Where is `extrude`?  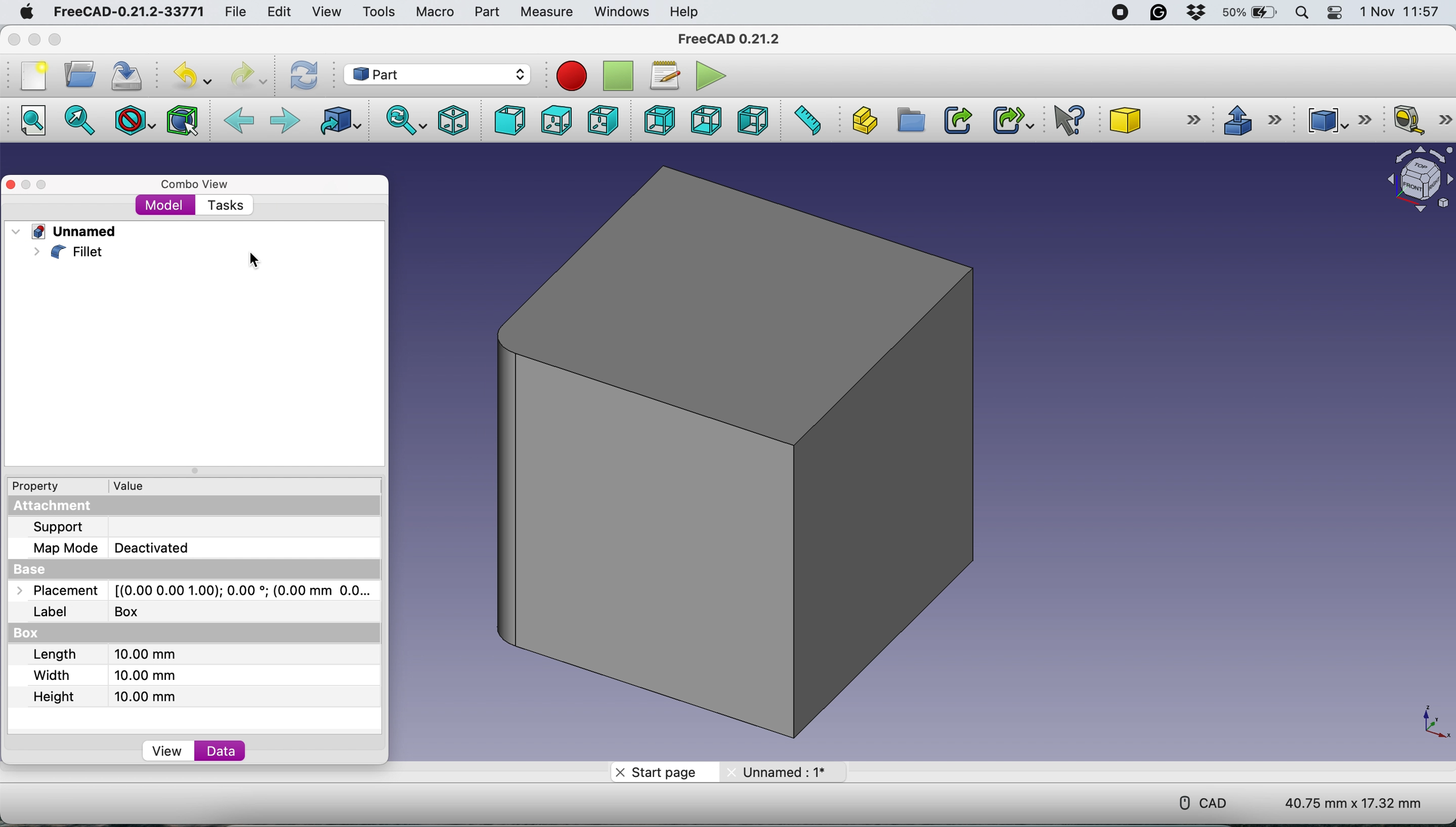 extrude is located at coordinates (1248, 118).